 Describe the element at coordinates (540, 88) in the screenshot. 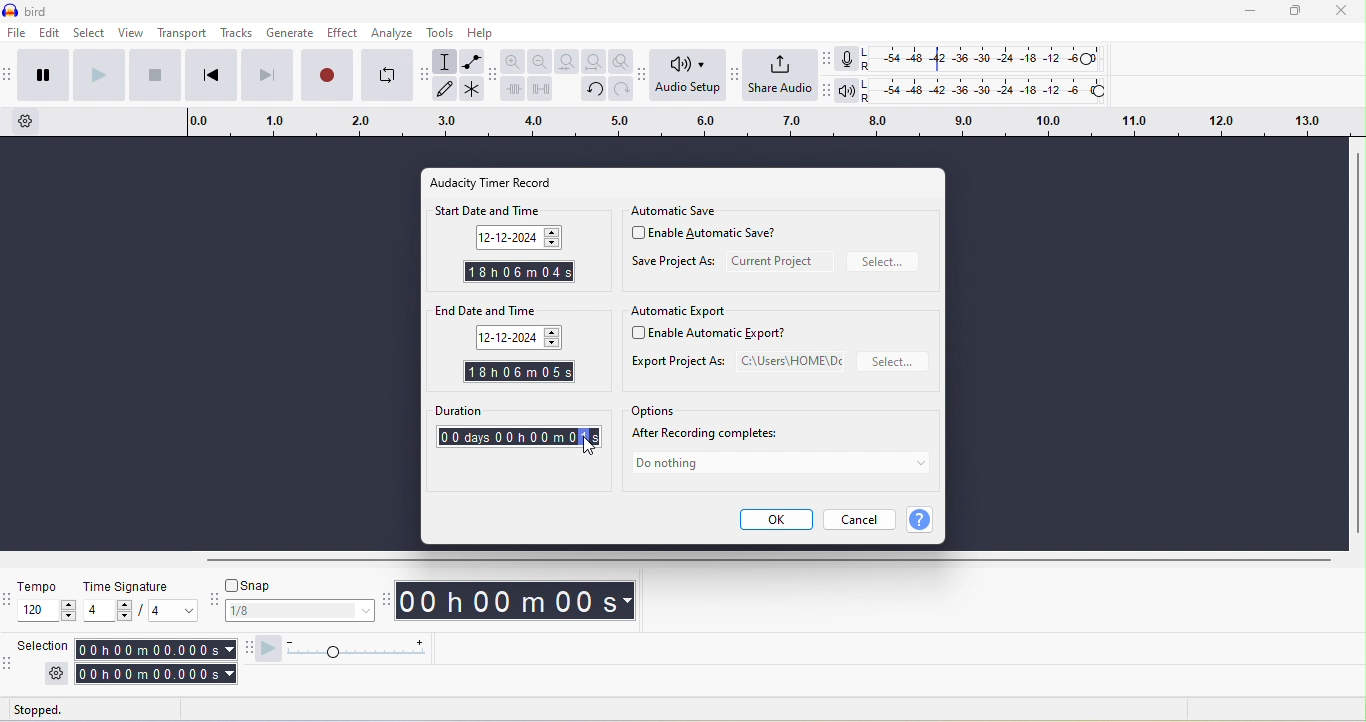

I see `silence audio selection` at that location.